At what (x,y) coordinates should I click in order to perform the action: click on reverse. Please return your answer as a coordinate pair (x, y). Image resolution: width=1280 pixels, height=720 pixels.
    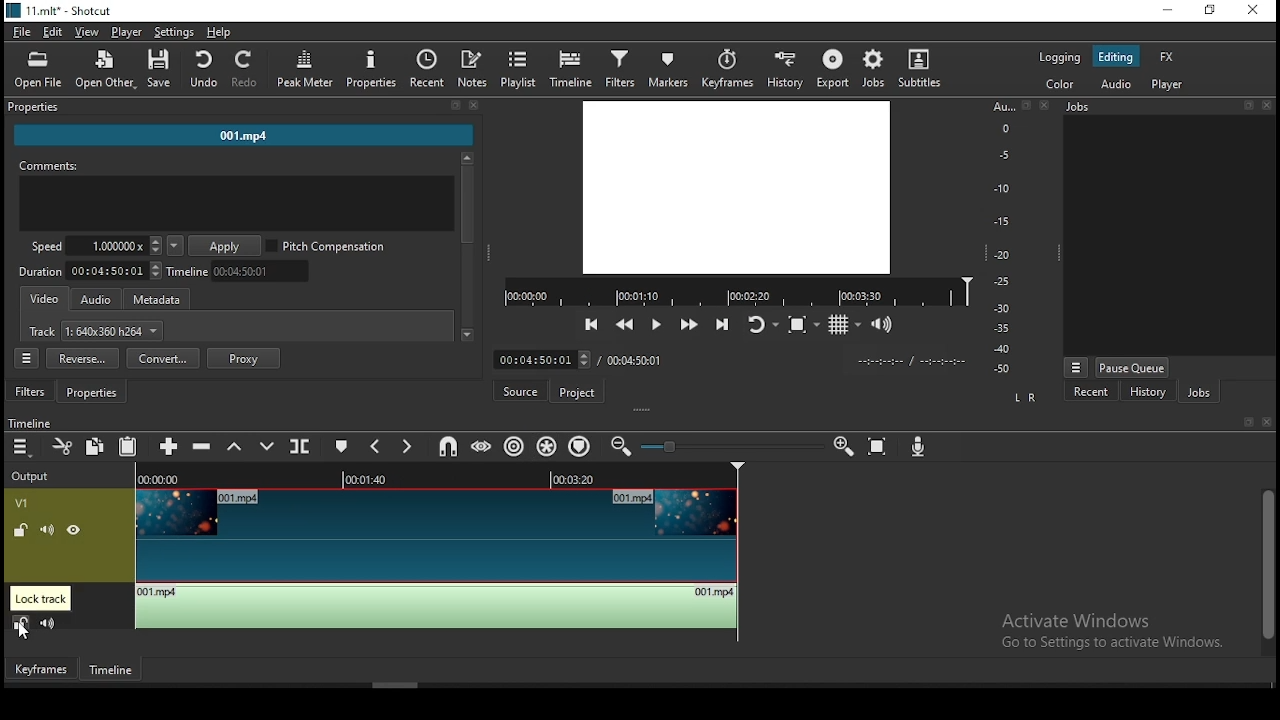
    Looking at the image, I should click on (84, 358).